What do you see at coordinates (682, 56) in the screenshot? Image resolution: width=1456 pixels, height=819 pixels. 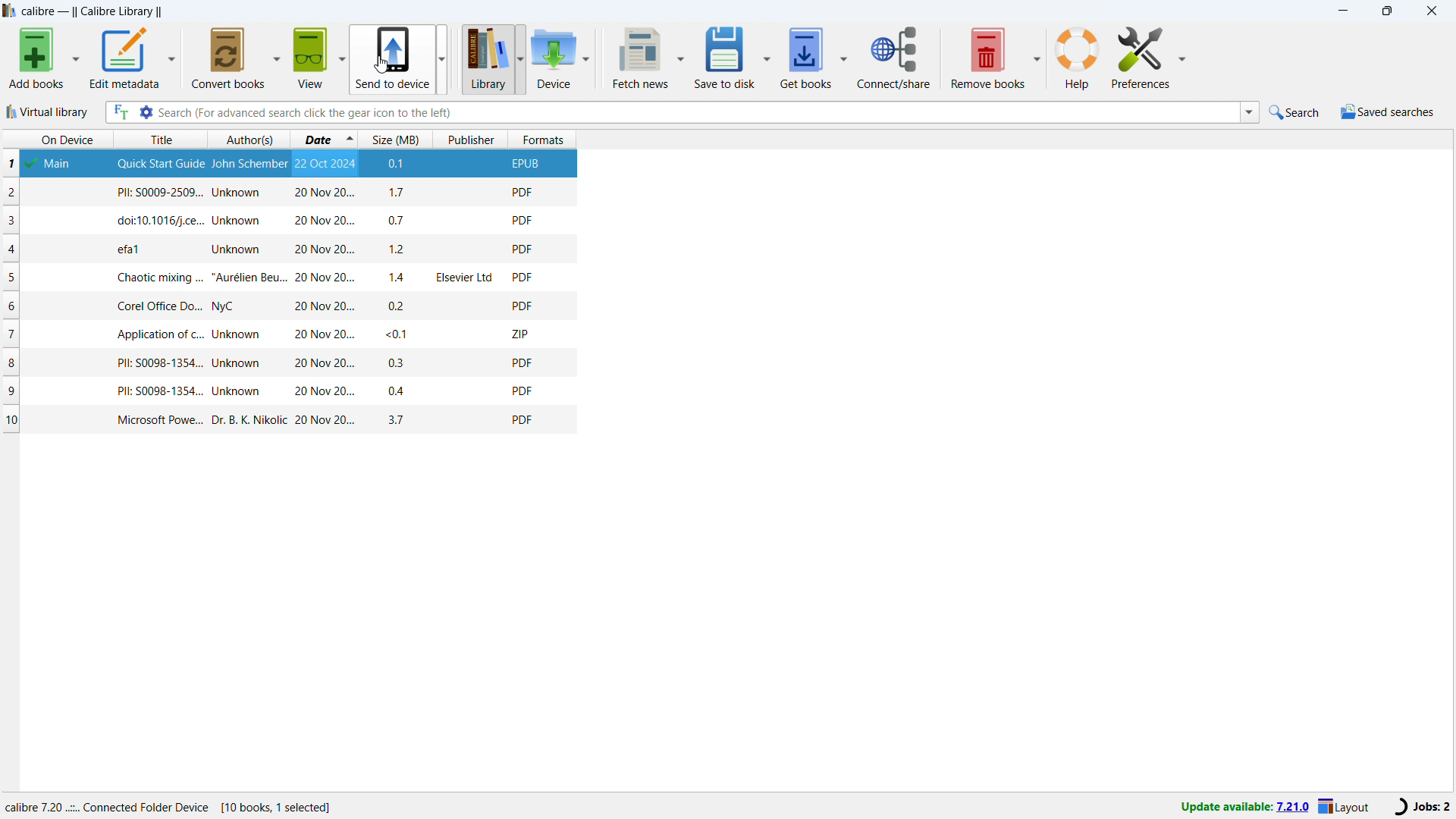 I see `fetch news options` at bounding box center [682, 56].